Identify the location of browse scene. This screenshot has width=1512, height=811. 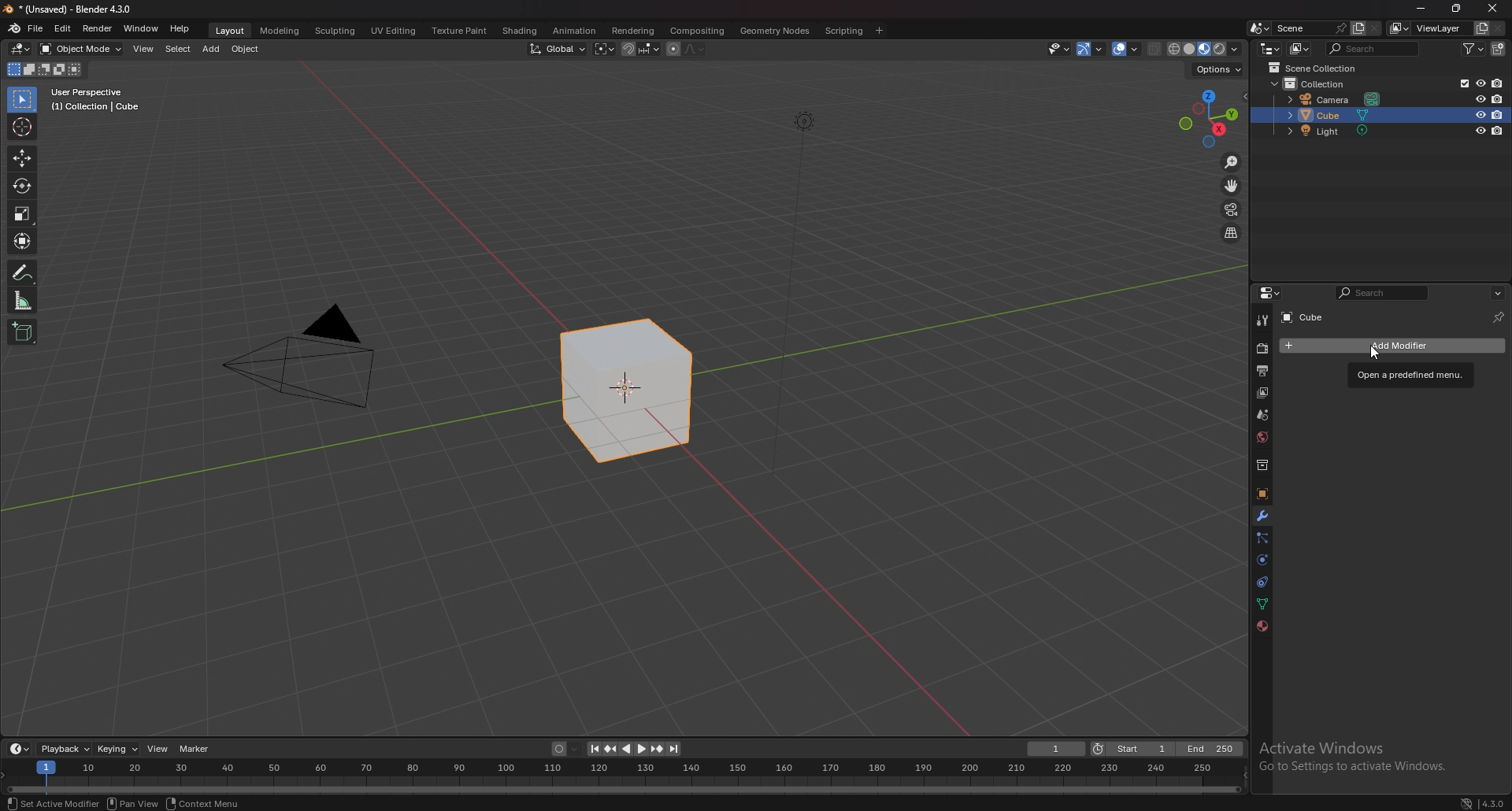
(1260, 28).